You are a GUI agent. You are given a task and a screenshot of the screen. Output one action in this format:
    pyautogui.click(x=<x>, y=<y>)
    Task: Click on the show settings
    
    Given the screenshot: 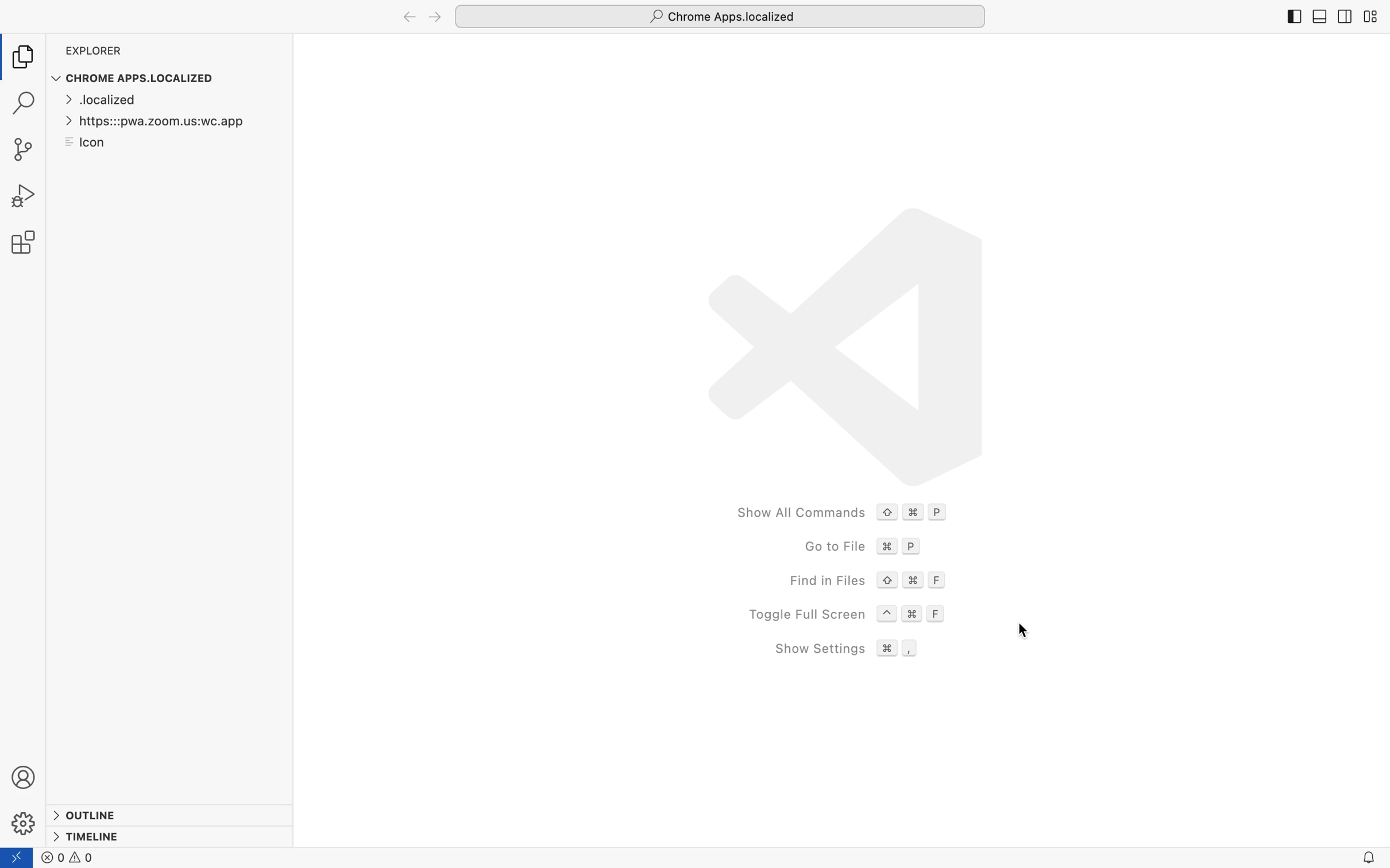 What is the action you would take?
    pyautogui.click(x=848, y=649)
    